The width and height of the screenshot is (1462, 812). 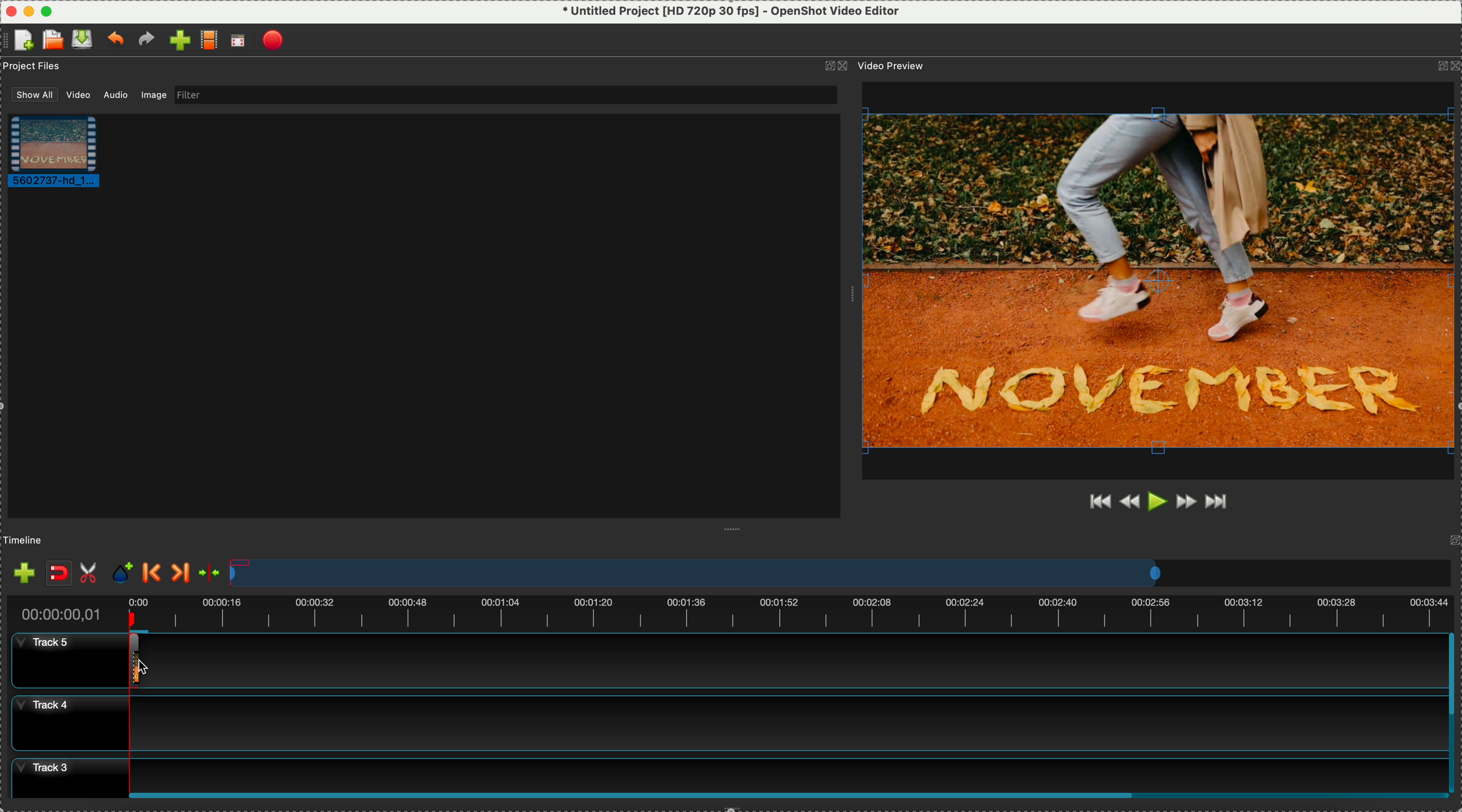 What do you see at coordinates (1158, 502) in the screenshot?
I see `play` at bounding box center [1158, 502].